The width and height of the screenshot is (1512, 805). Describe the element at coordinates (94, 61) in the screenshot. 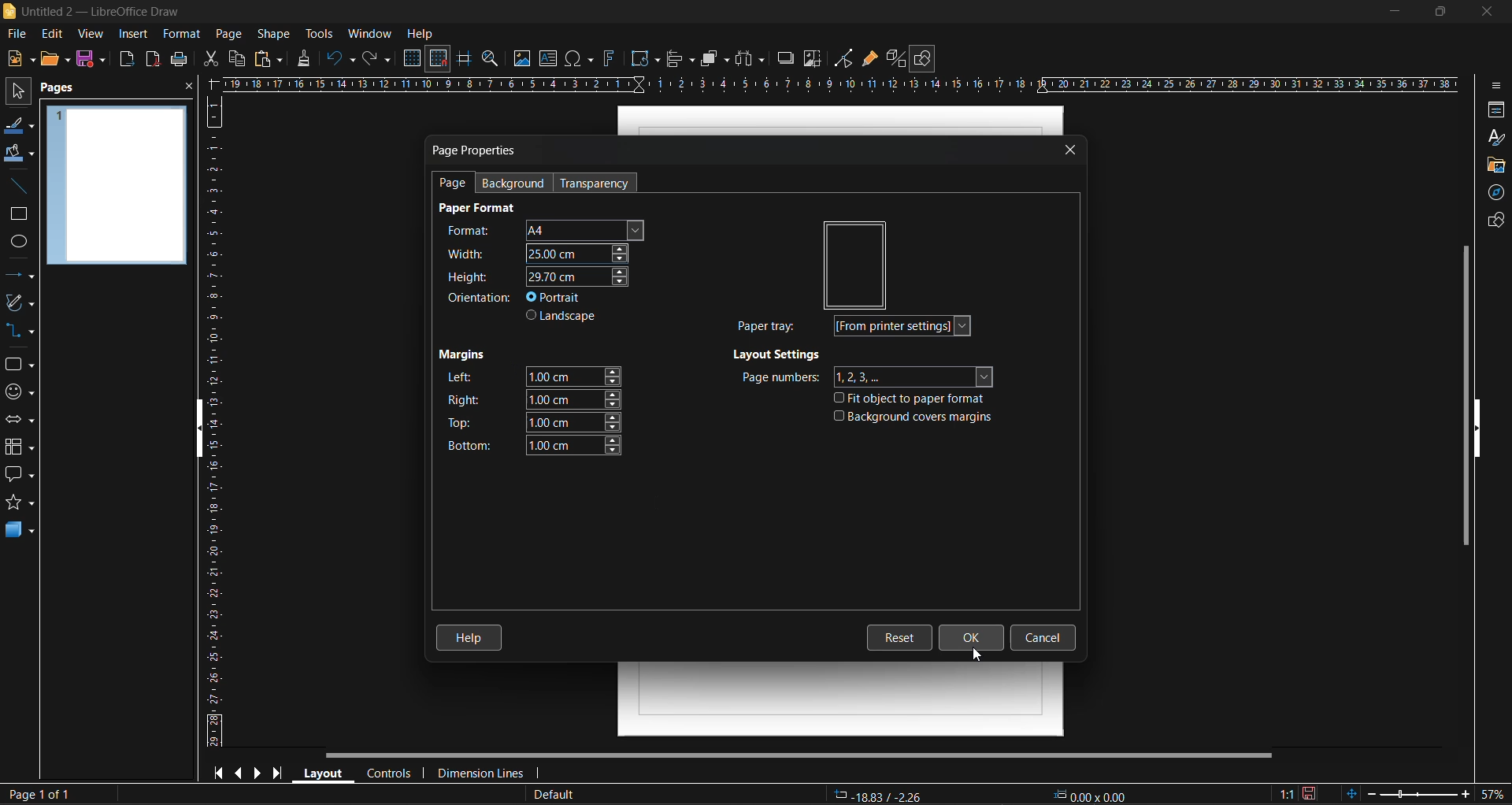

I see `save` at that location.